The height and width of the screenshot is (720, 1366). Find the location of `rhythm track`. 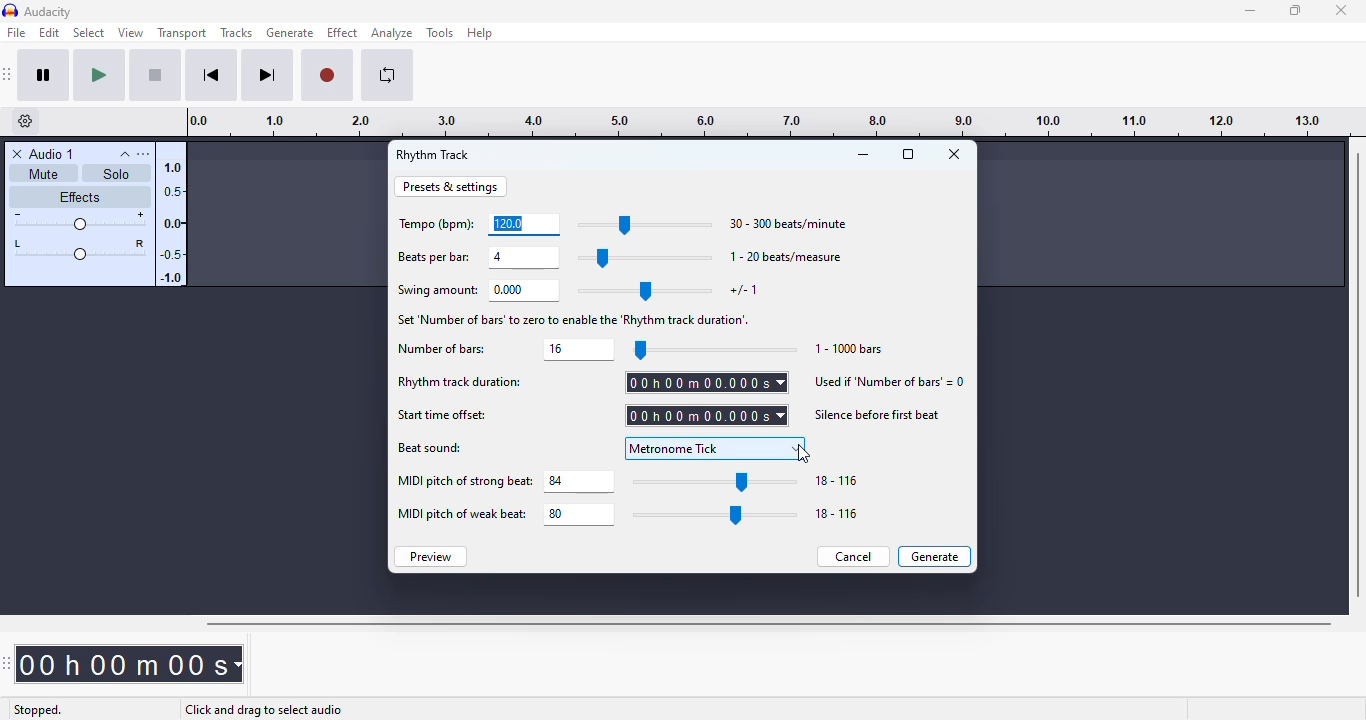

rhythm track is located at coordinates (434, 155).